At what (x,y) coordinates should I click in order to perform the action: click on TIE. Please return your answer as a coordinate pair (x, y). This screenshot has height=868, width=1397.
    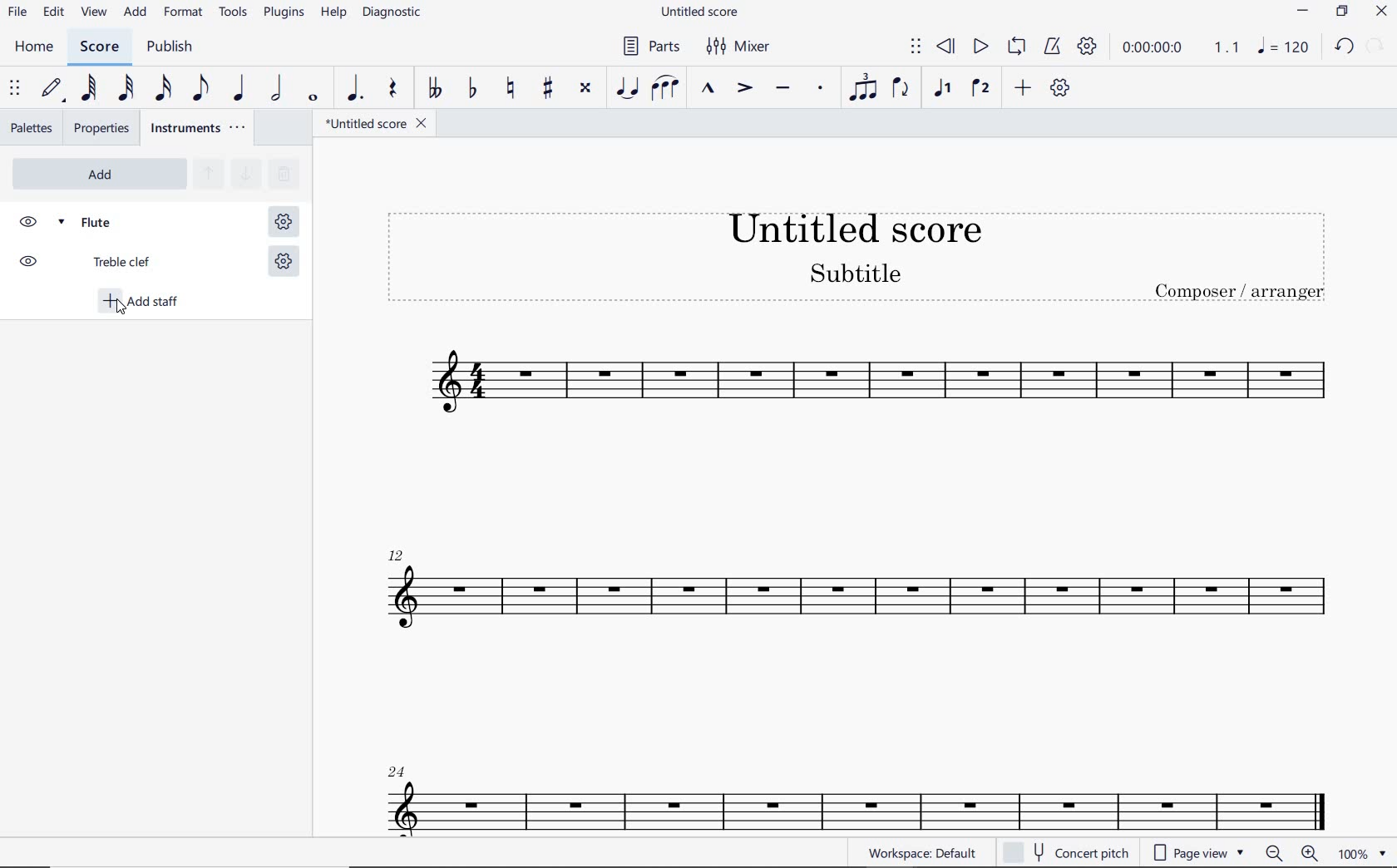
    Looking at the image, I should click on (628, 89).